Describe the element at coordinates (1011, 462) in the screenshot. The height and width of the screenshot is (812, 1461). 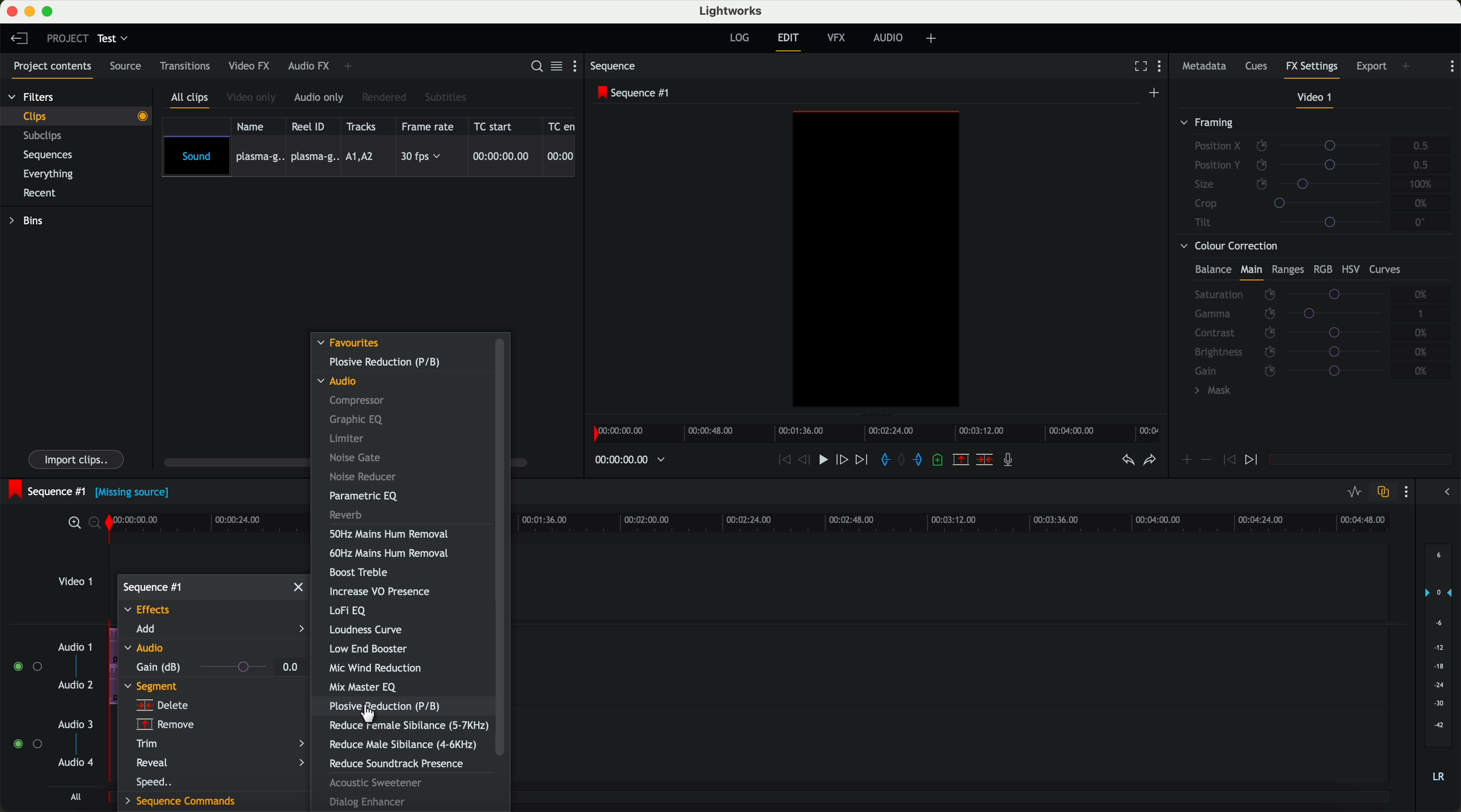
I see `record a voice over` at that location.